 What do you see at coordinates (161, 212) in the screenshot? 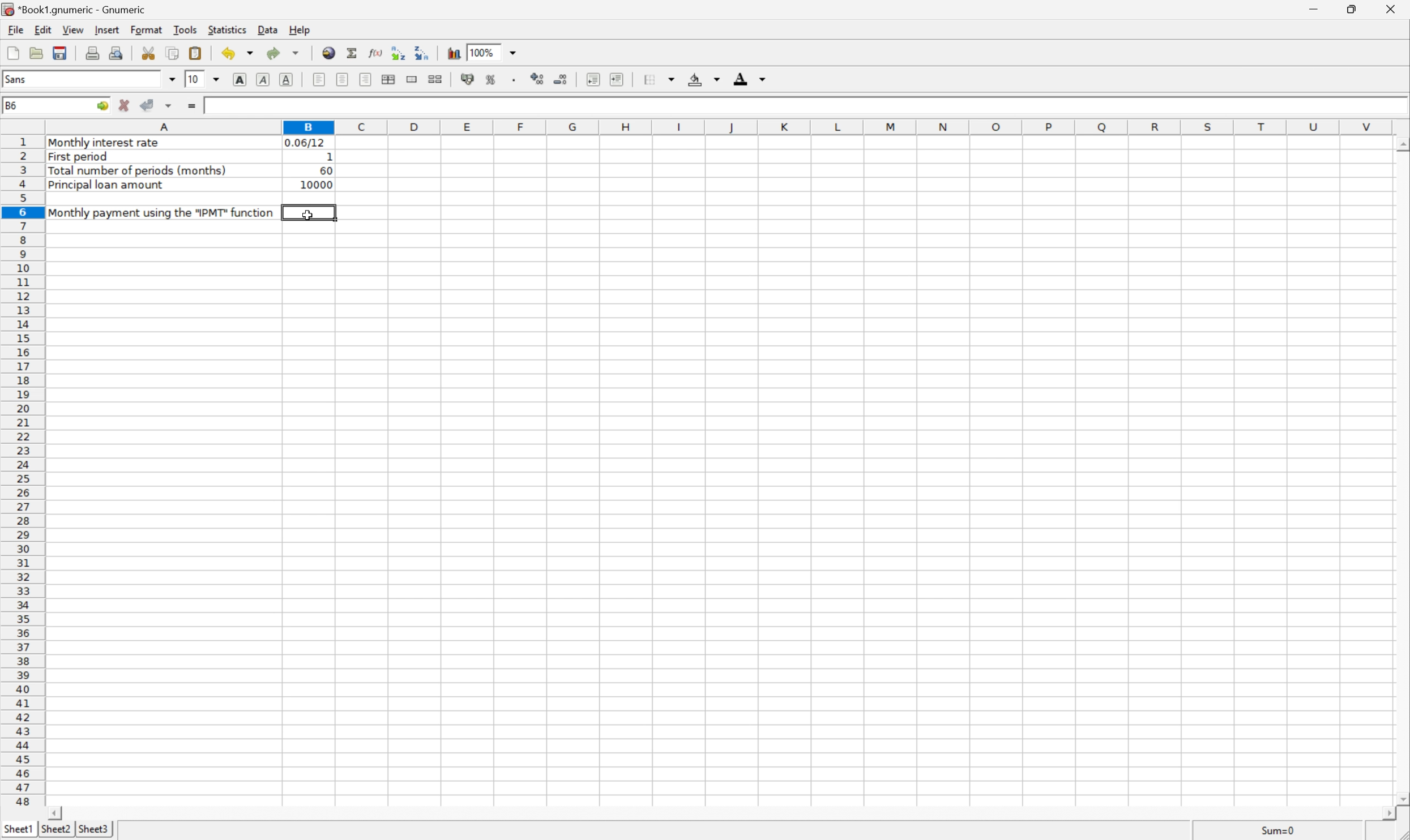
I see `Monthly payment using the "PMT" function` at bounding box center [161, 212].